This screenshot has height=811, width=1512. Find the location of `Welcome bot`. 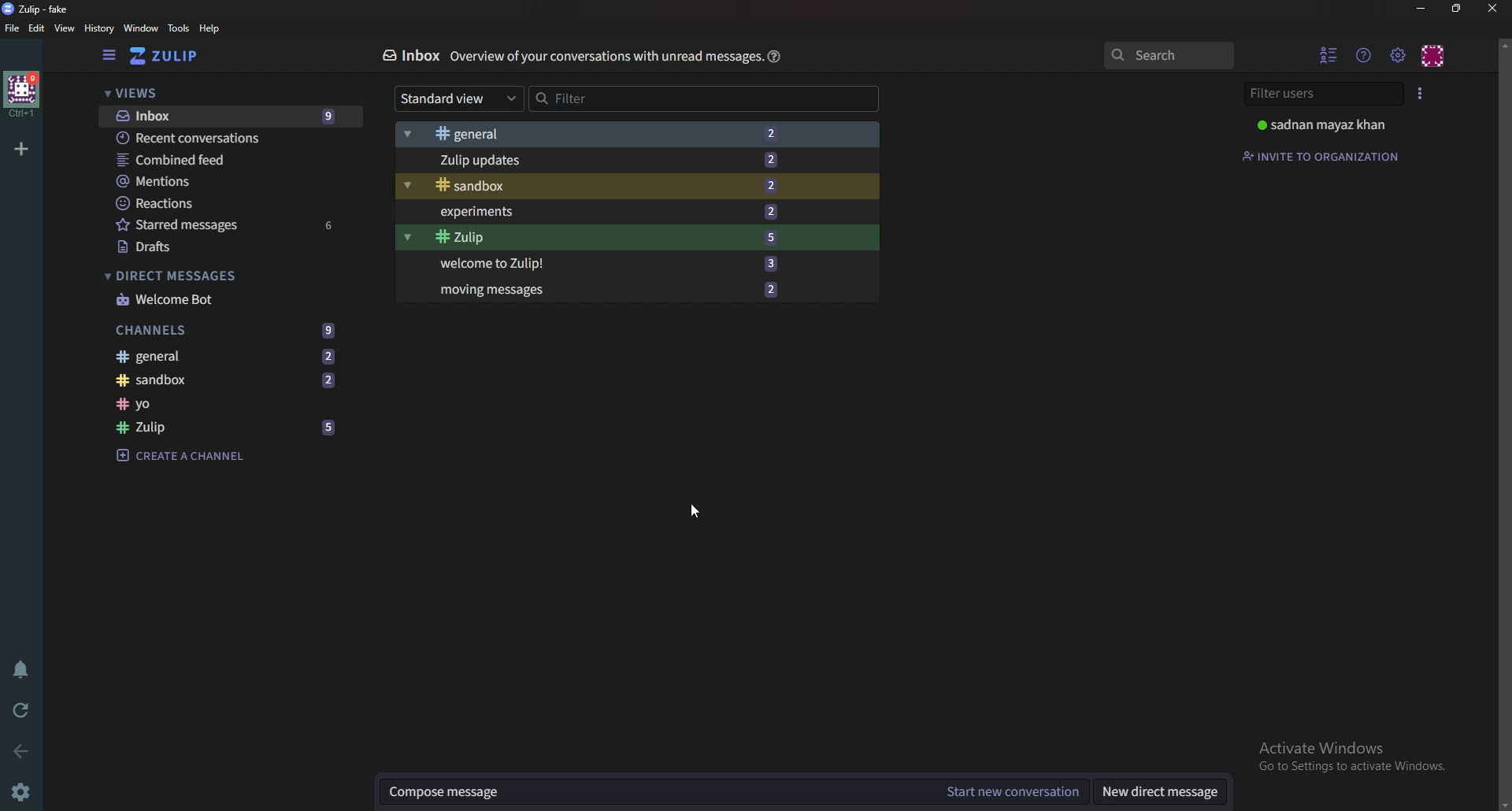

Welcome bot is located at coordinates (216, 301).